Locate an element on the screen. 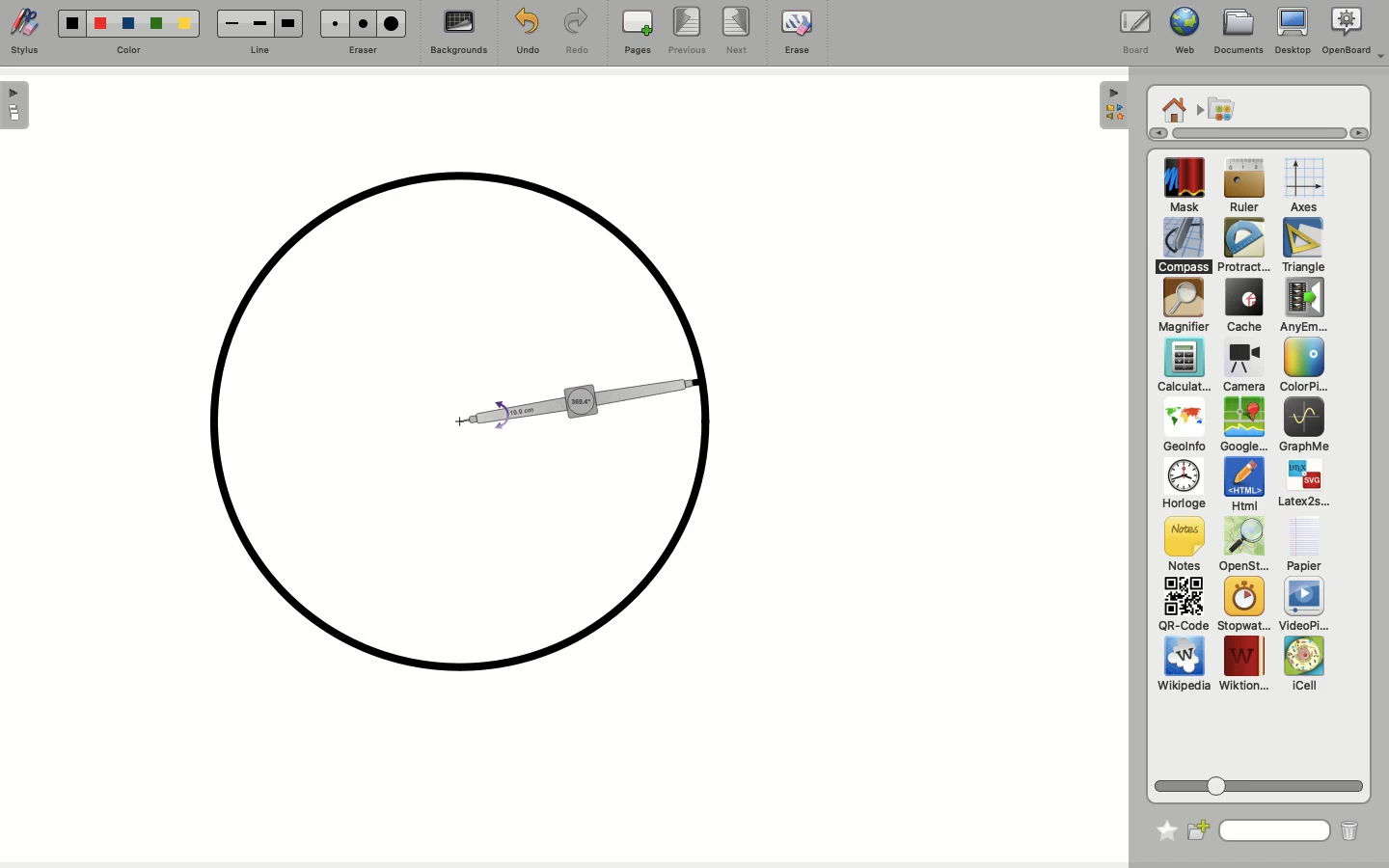  Protractor is located at coordinates (1246, 246).